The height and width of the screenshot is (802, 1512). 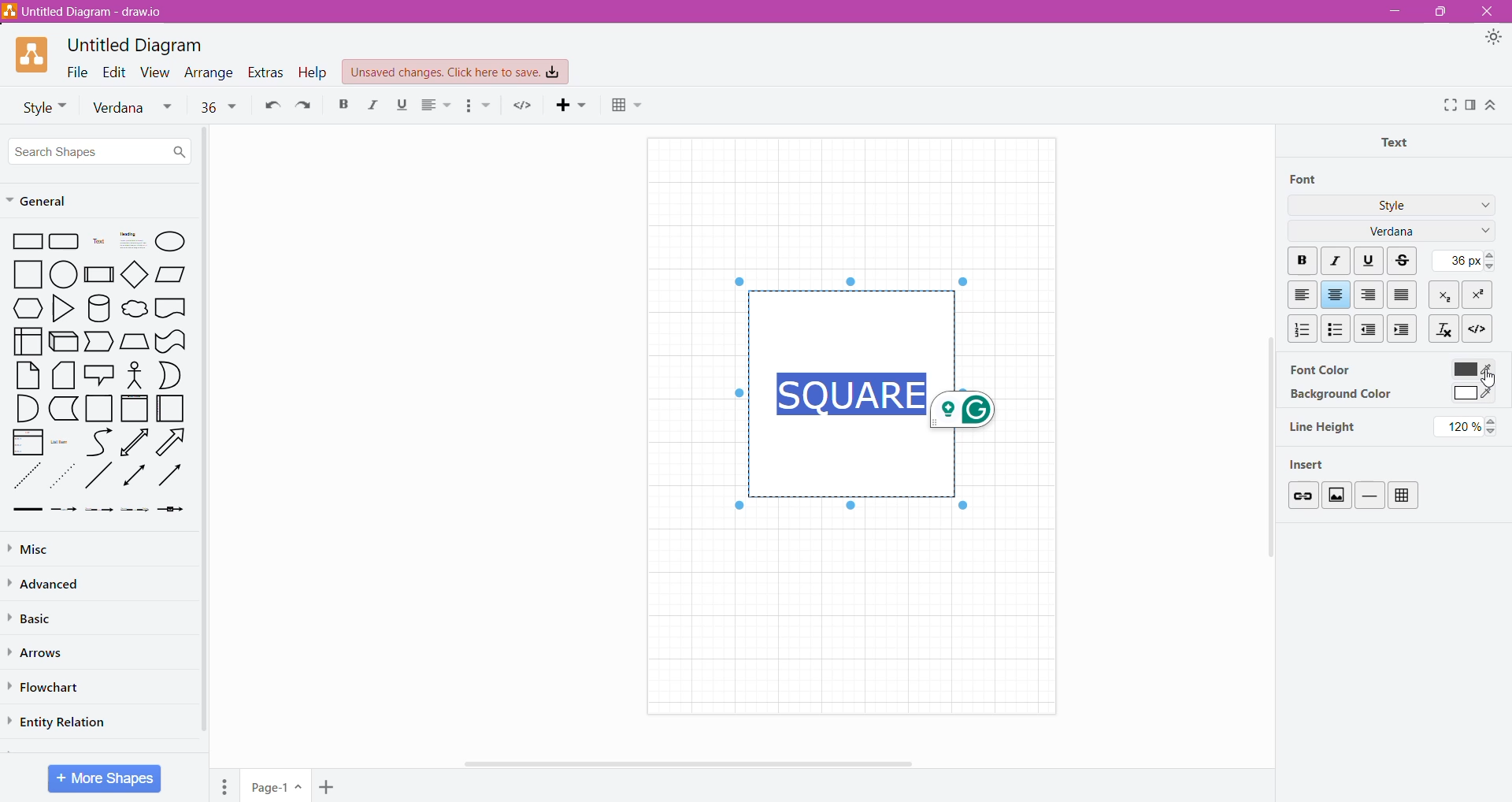 What do you see at coordinates (25, 477) in the screenshot?
I see `Dotted Line` at bounding box center [25, 477].